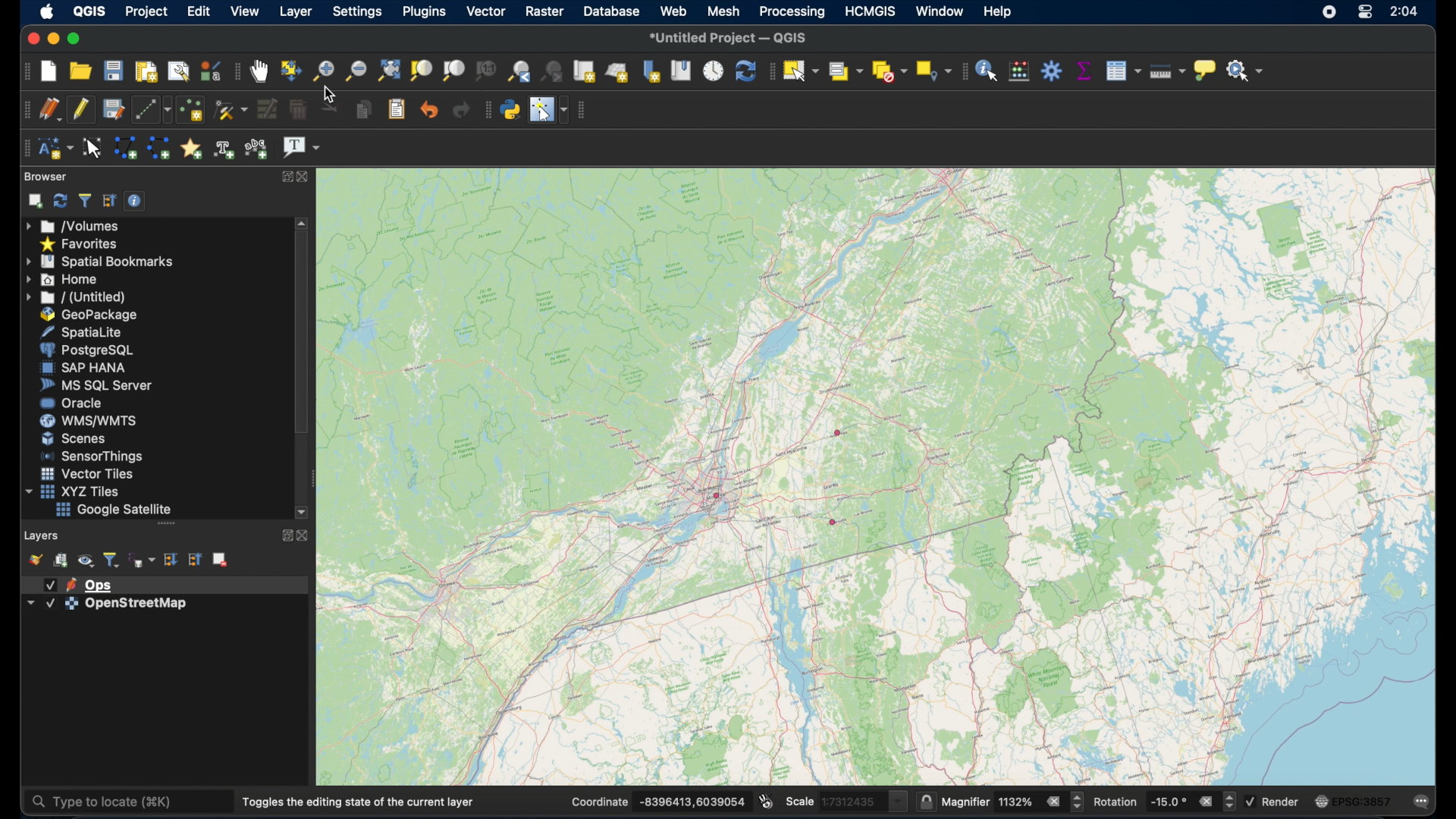 The height and width of the screenshot is (819, 1456). Describe the element at coordinates (617, 71) in the screenshot. I see `new 3D map view` at that location.